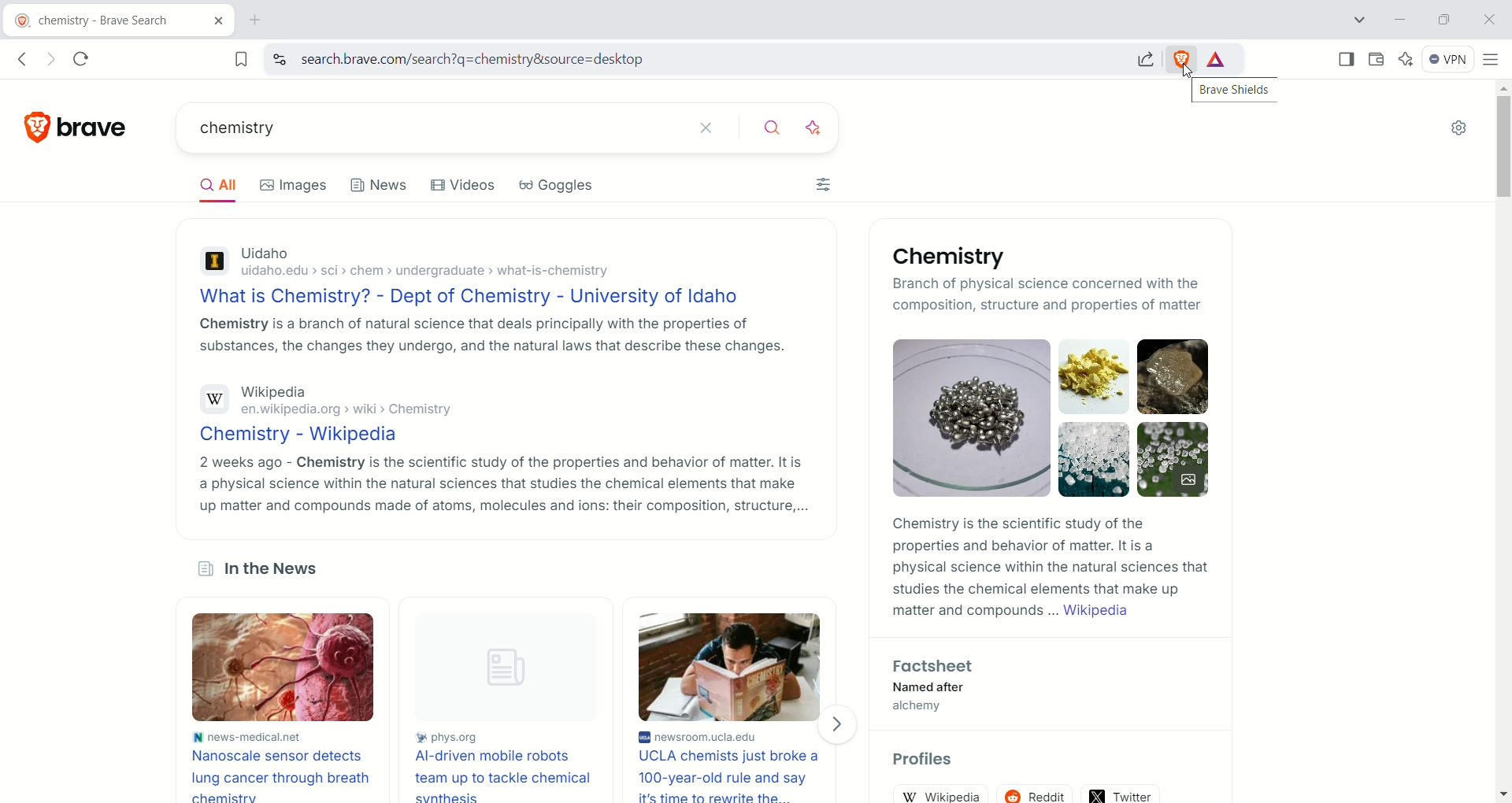 The height and width of the screenshot is (803, 1512). I want to click on chemistry, so click(432, 126).